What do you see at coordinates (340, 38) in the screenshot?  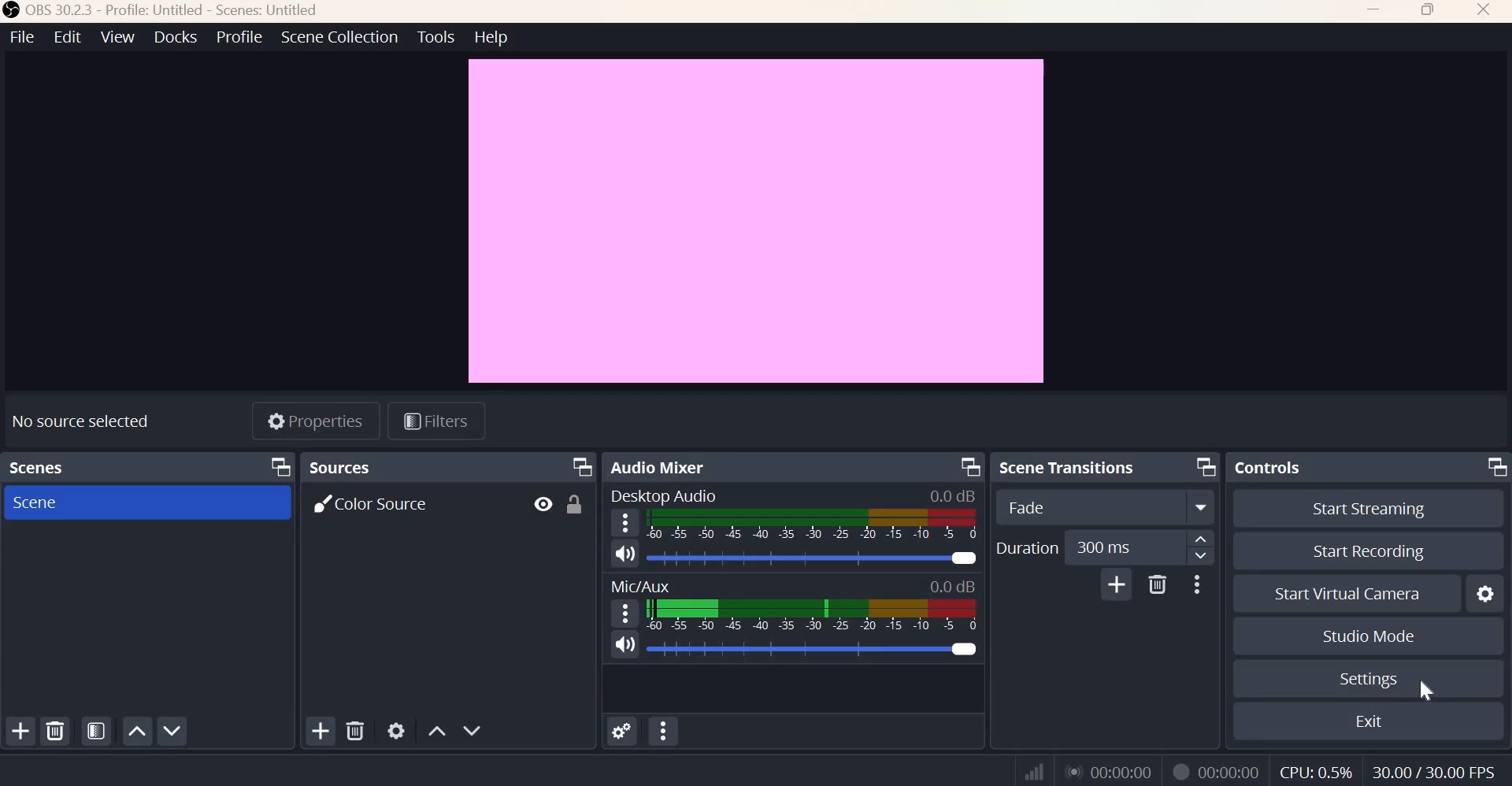 I see `Scene collection` at bounding box center [340, 38].